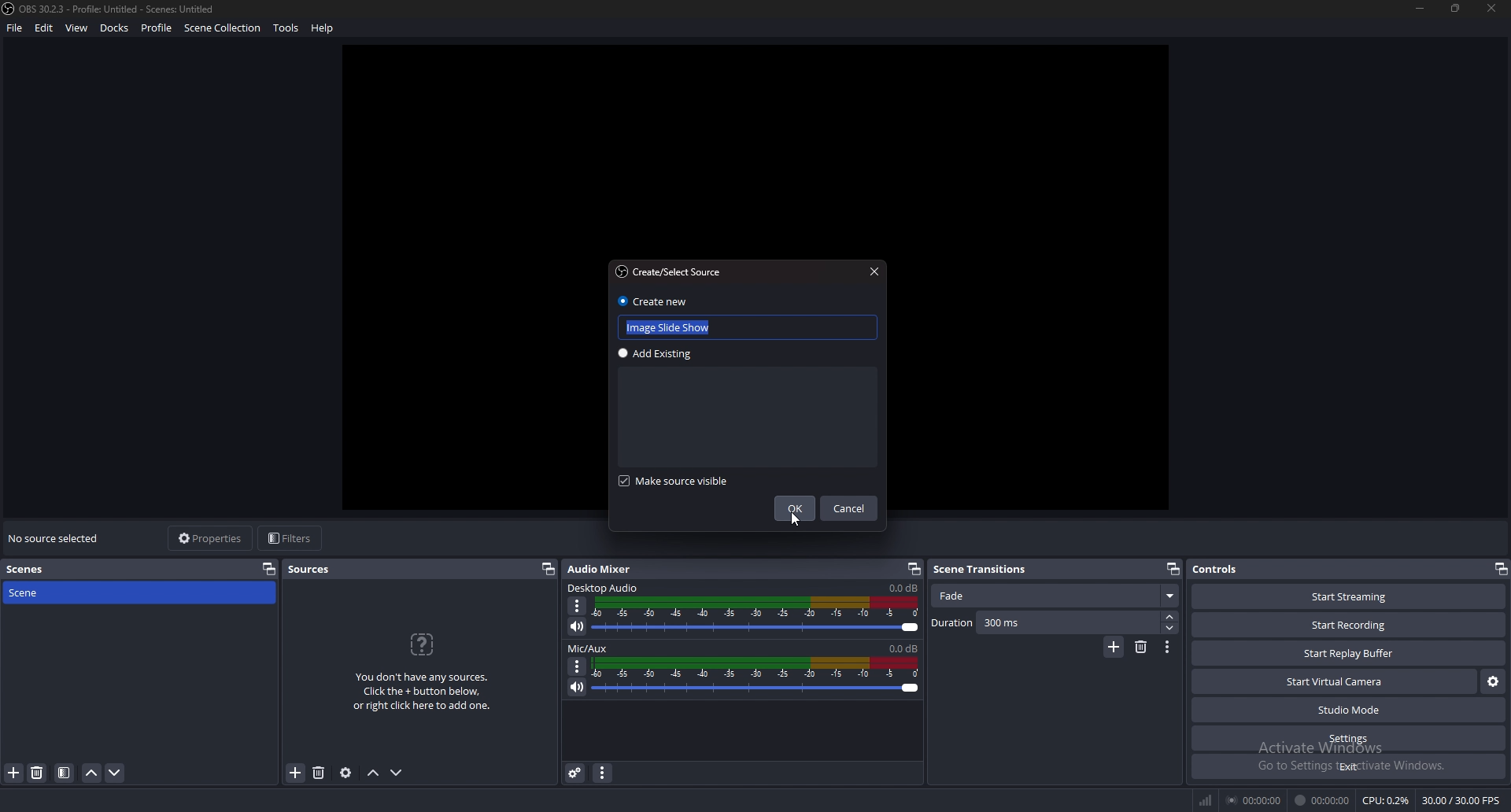  I want to click on properties, so click(211, 539).